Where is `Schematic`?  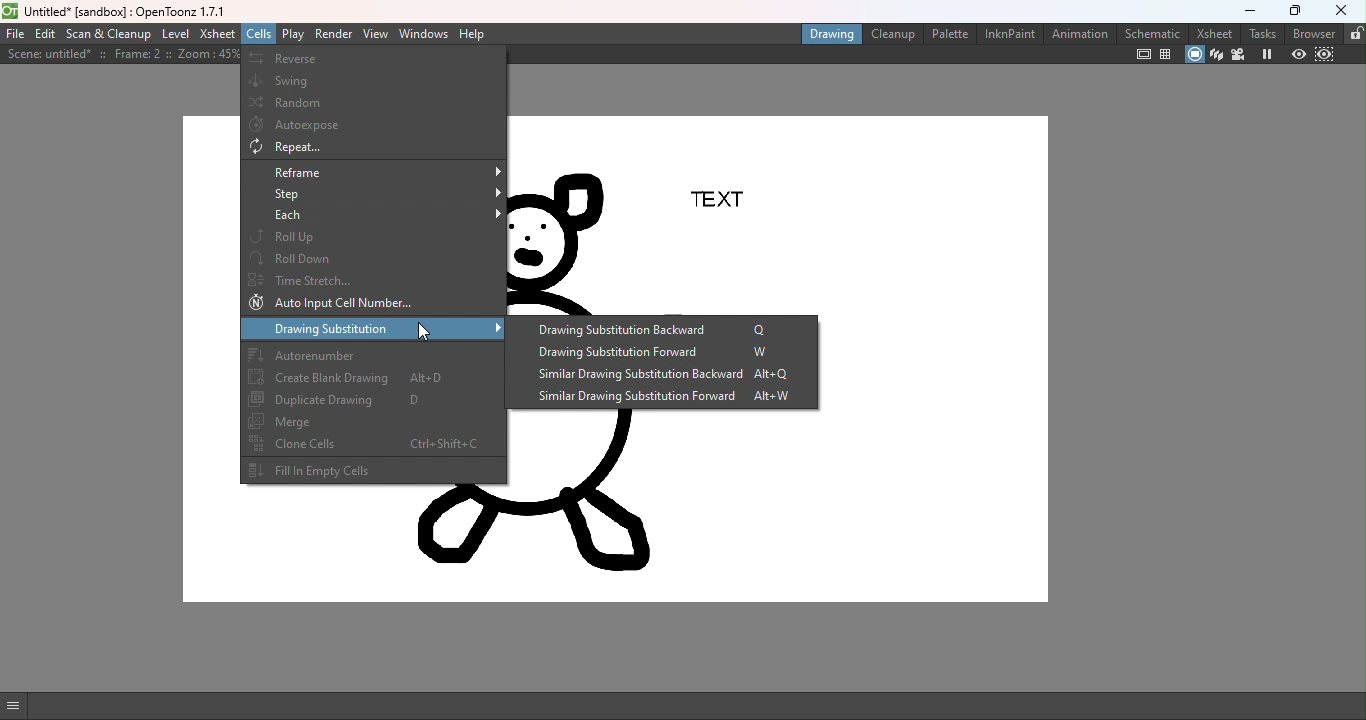 Schematic is located at coordinates (1153, 32).